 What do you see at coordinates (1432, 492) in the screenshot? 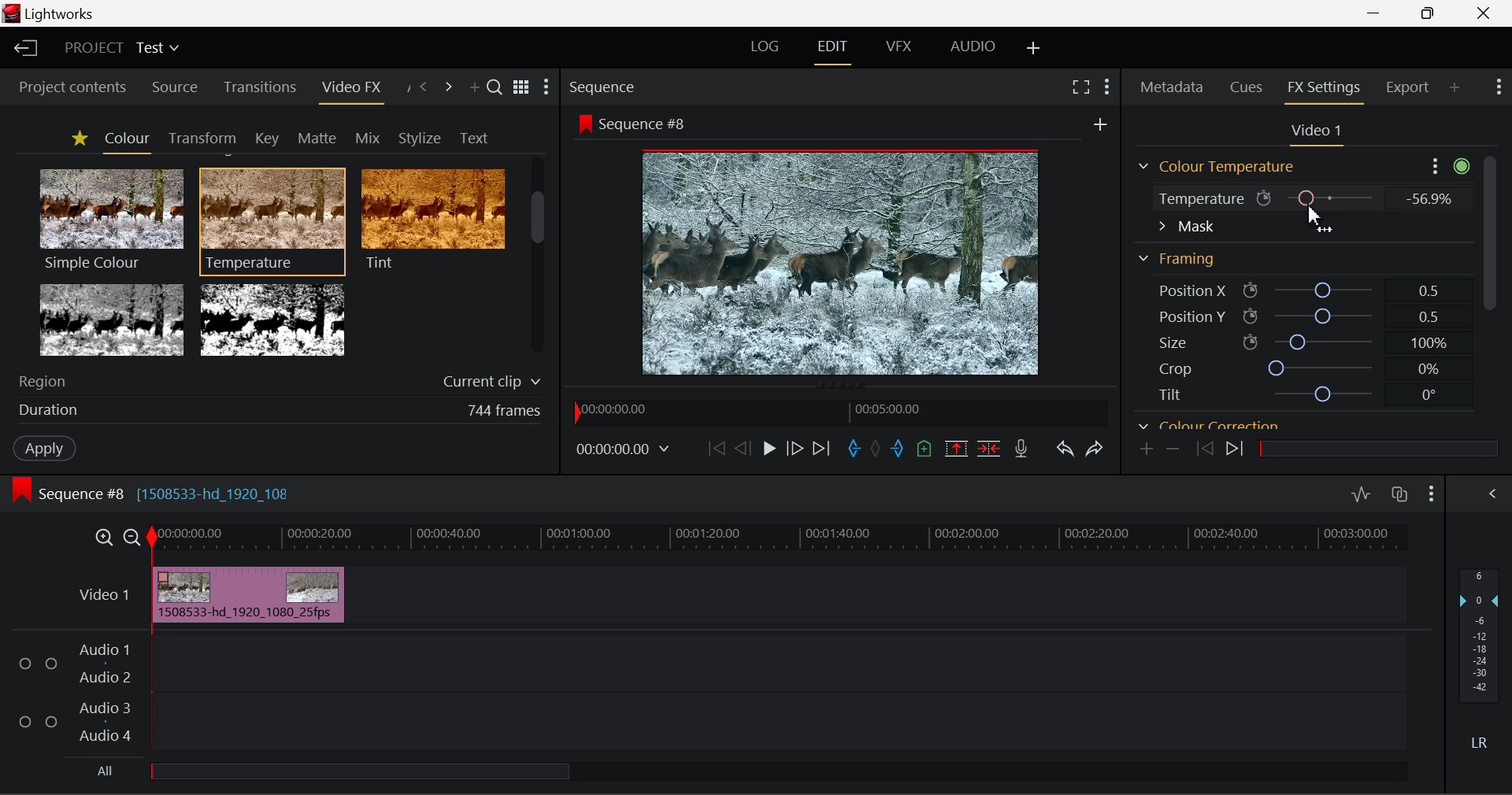
I see `Show Settings` at bounding box center [1432, 492].